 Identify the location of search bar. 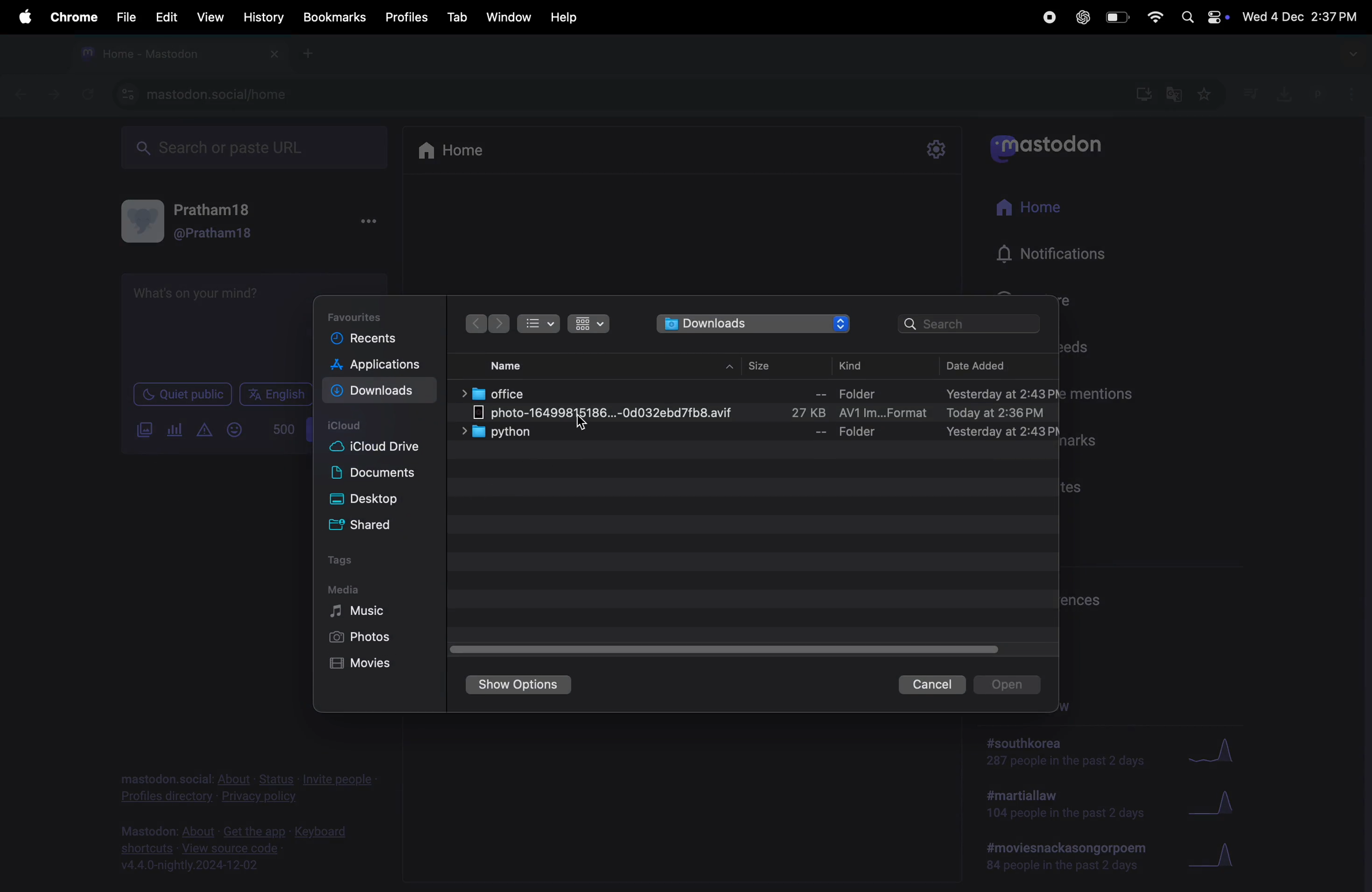
(972, 324).